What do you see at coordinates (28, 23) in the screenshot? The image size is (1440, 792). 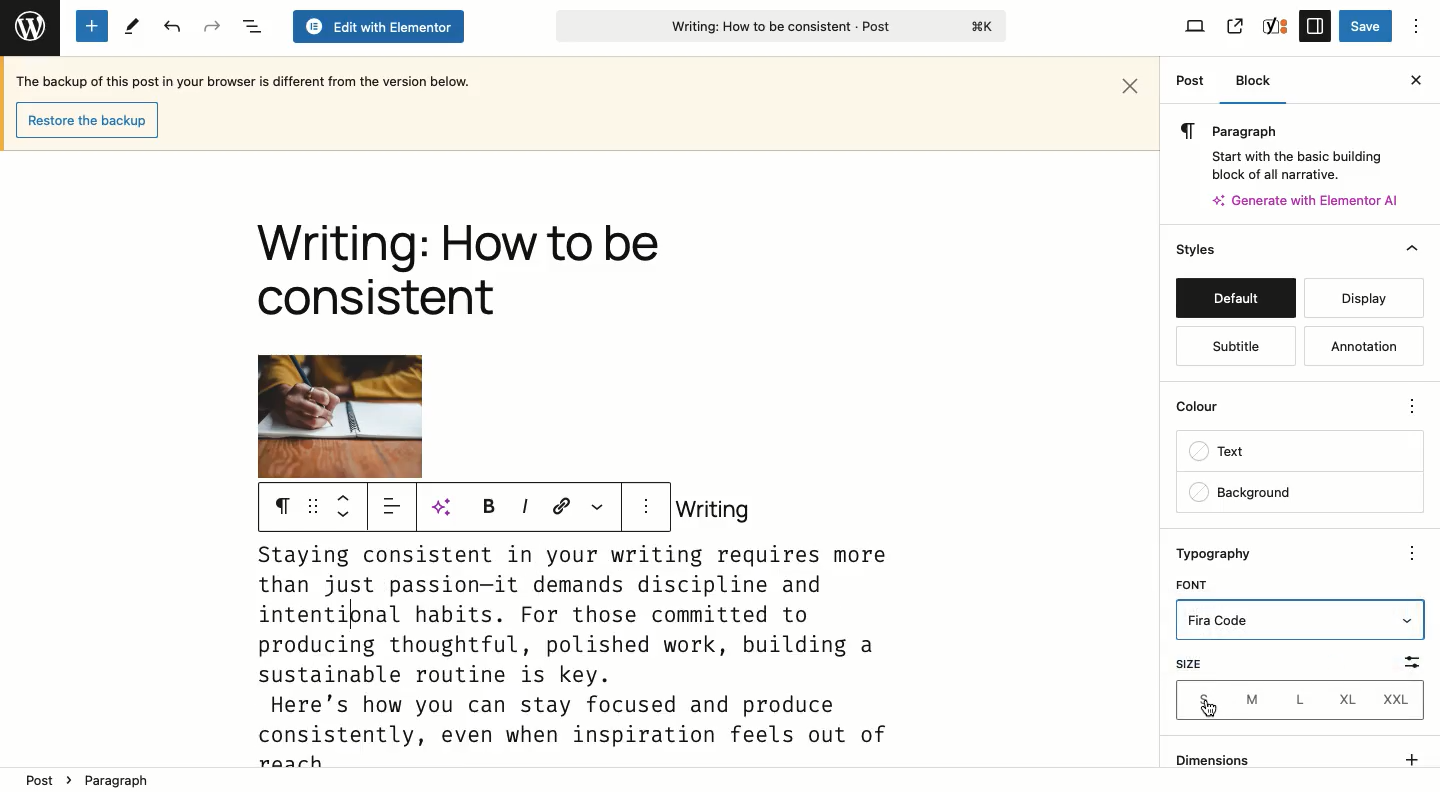 I see `Wordpress logo` at bounding box center [28, 23].